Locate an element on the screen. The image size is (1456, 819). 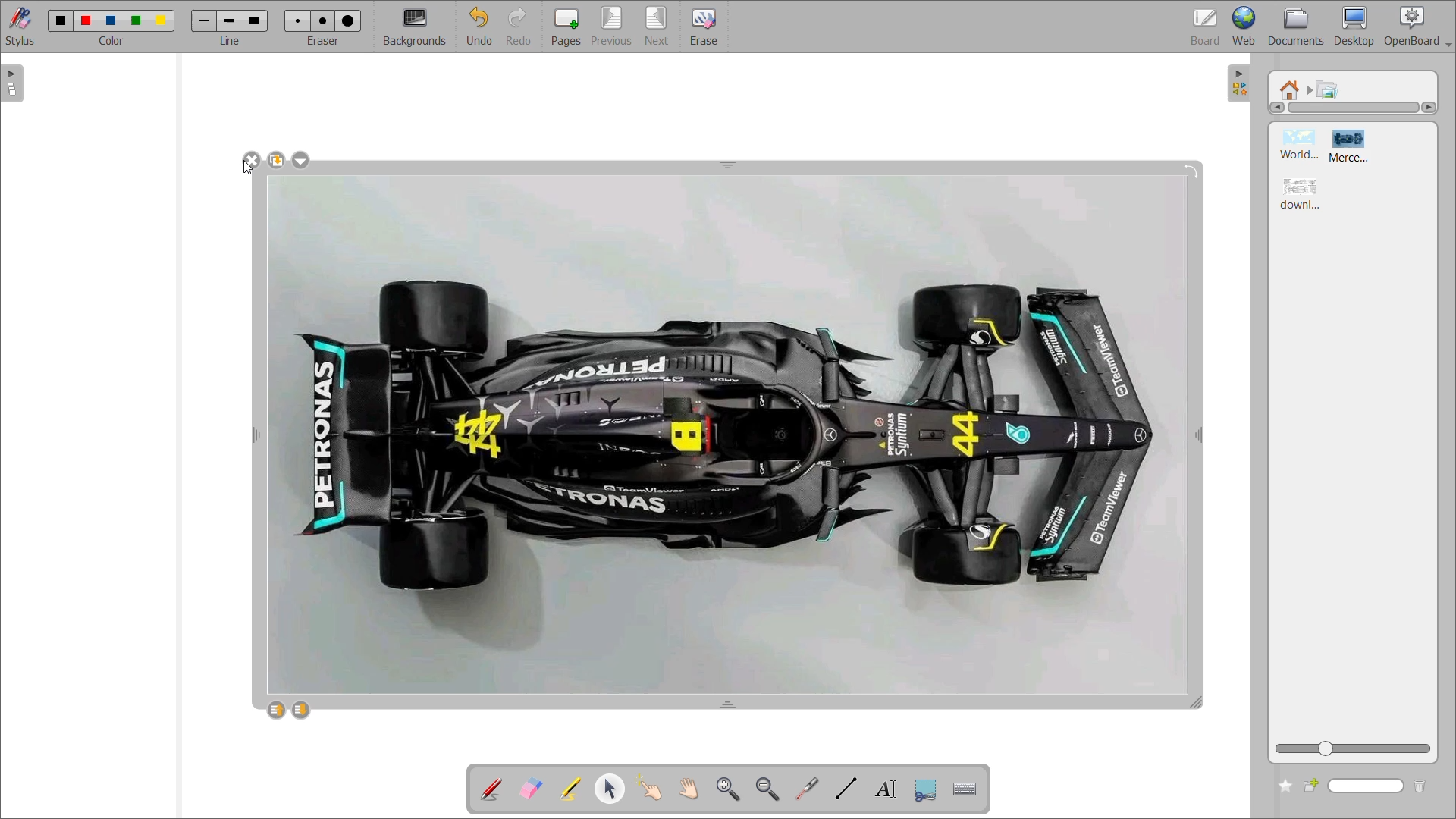
add to favorites is located at coordinates (1283, 789).